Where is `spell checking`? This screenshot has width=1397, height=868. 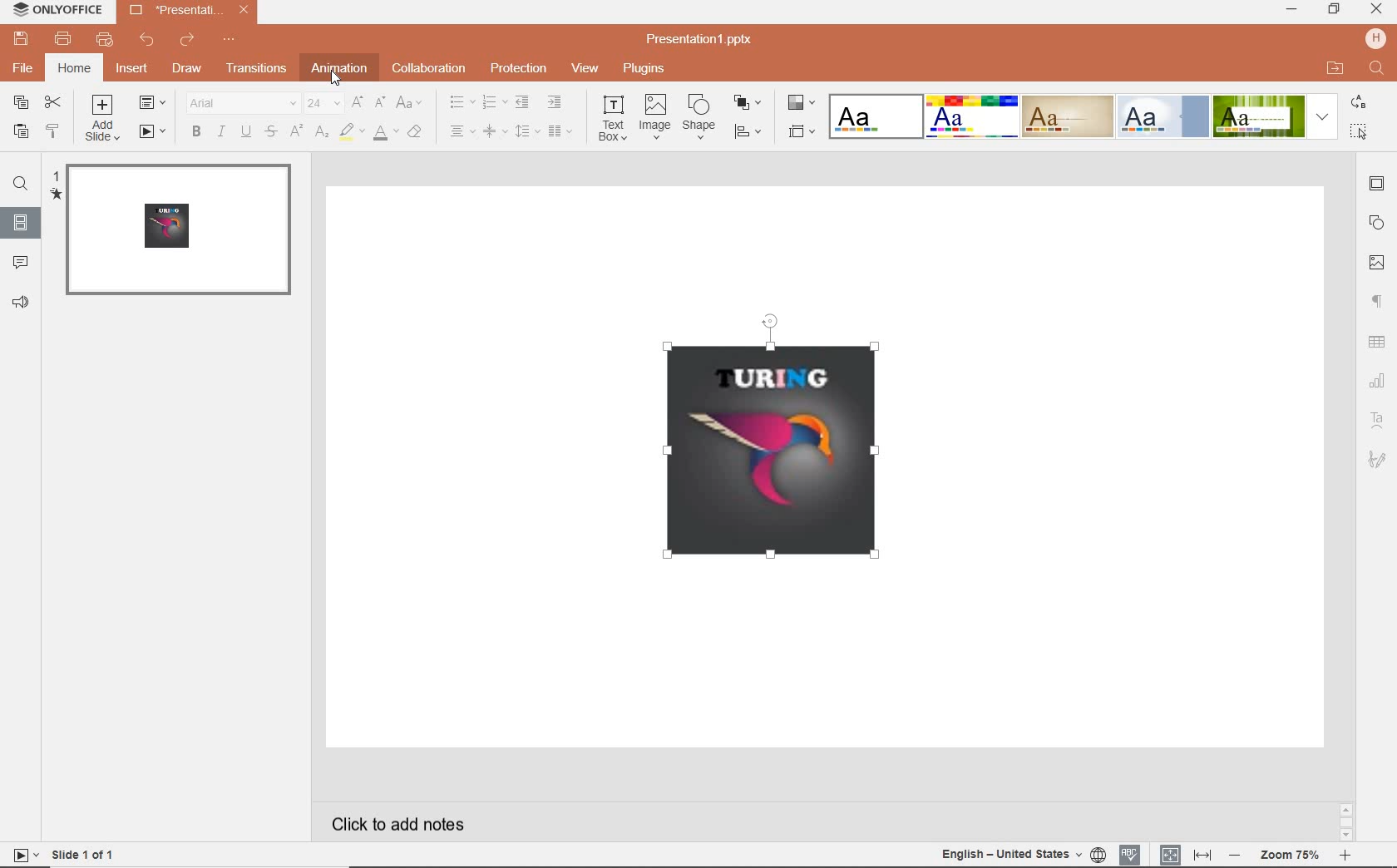 spell checking is located at coordinates (1130, 855).